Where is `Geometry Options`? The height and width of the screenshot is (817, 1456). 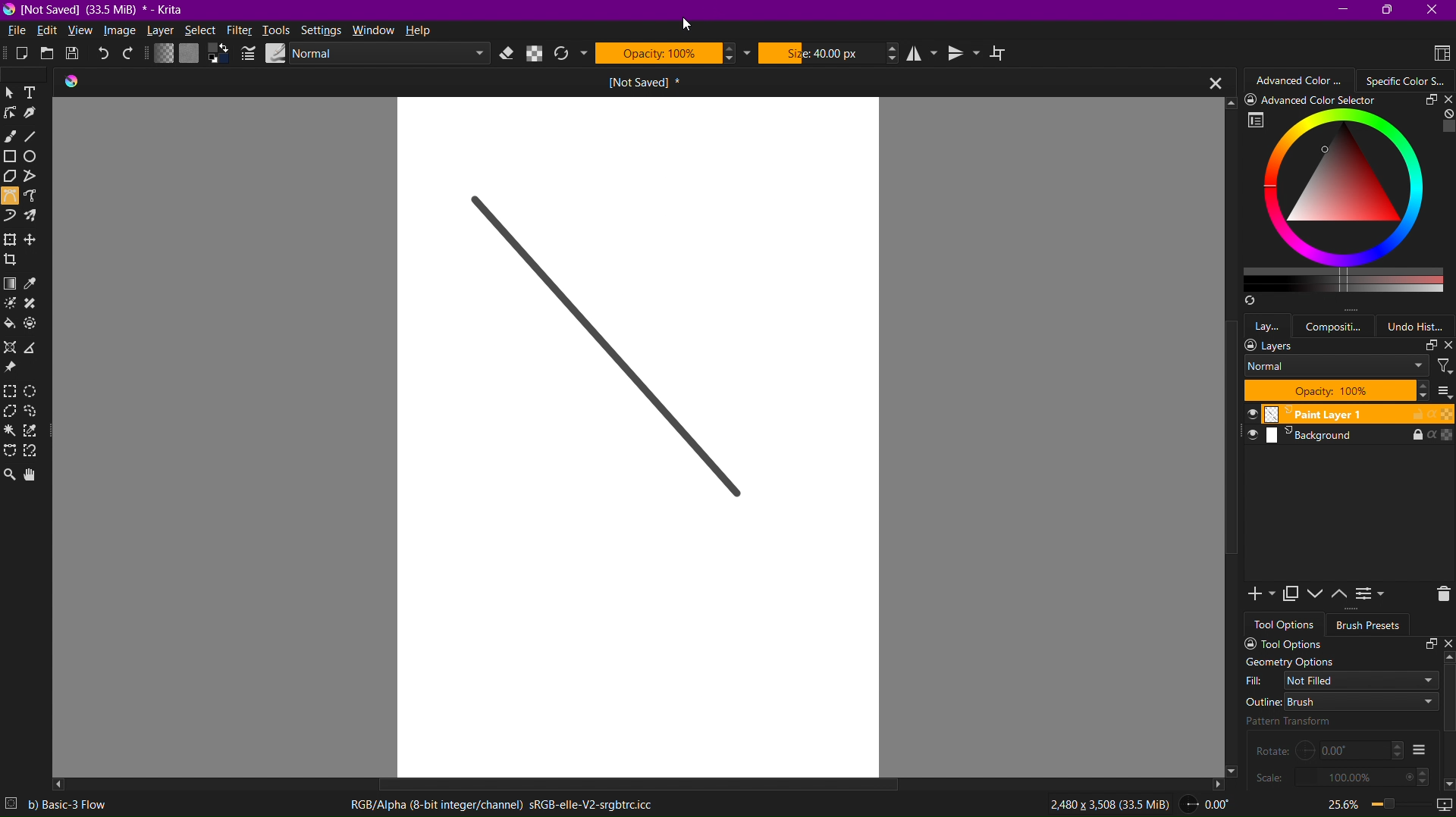 Geometry Options is located at coordinates (1289, 662).